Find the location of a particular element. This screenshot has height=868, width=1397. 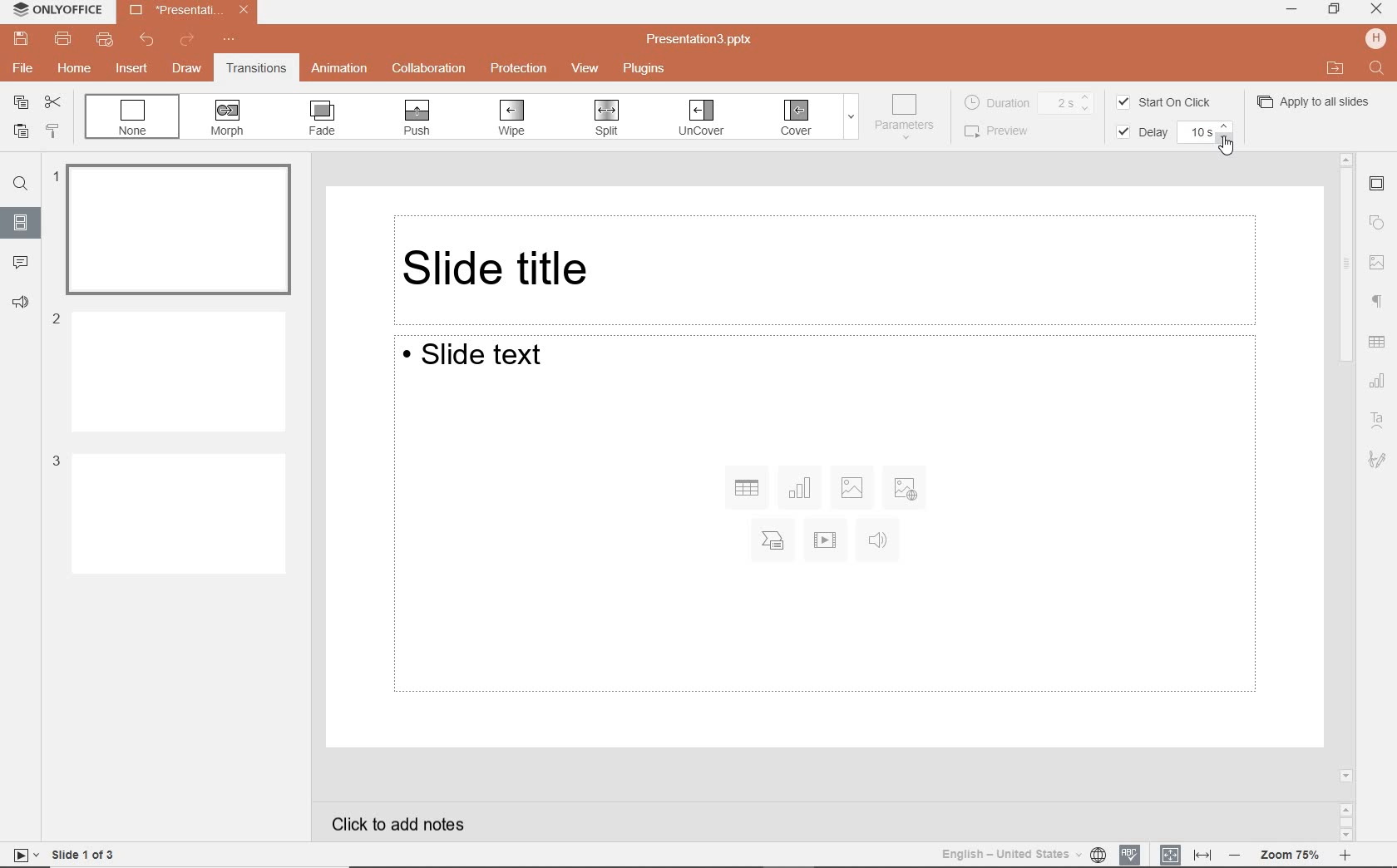

SPLIT is located at coordinates (605, 119).